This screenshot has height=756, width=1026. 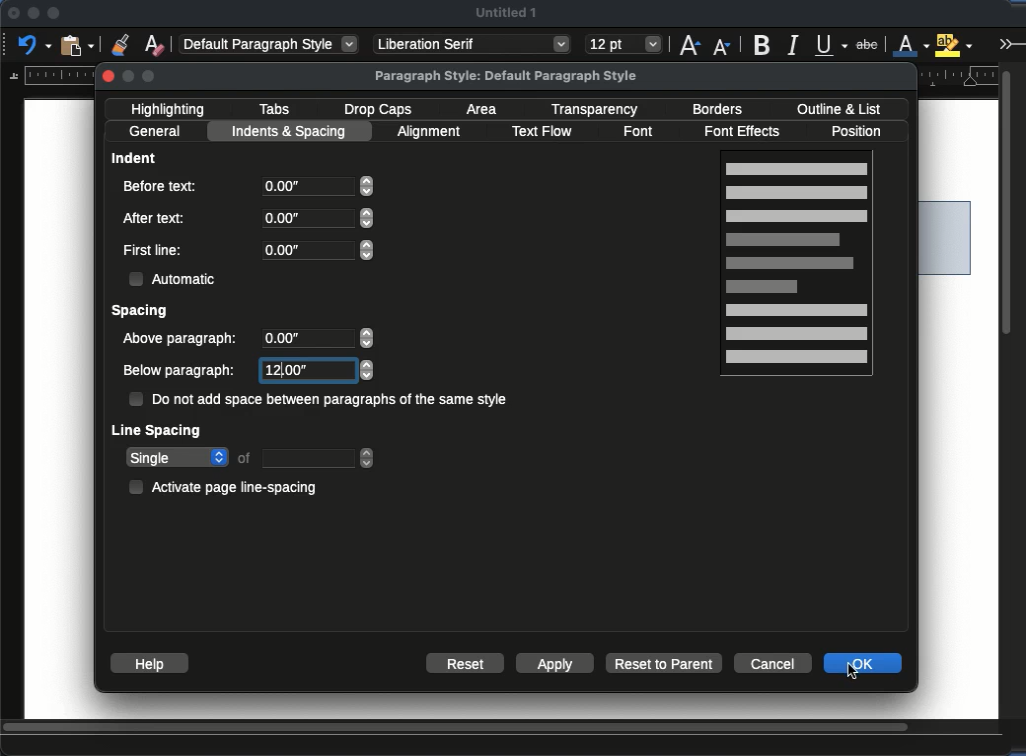 What do you see at coordinates (317, 250) in the screenshot?
I see `0.00` at bounding box center [317, 250].